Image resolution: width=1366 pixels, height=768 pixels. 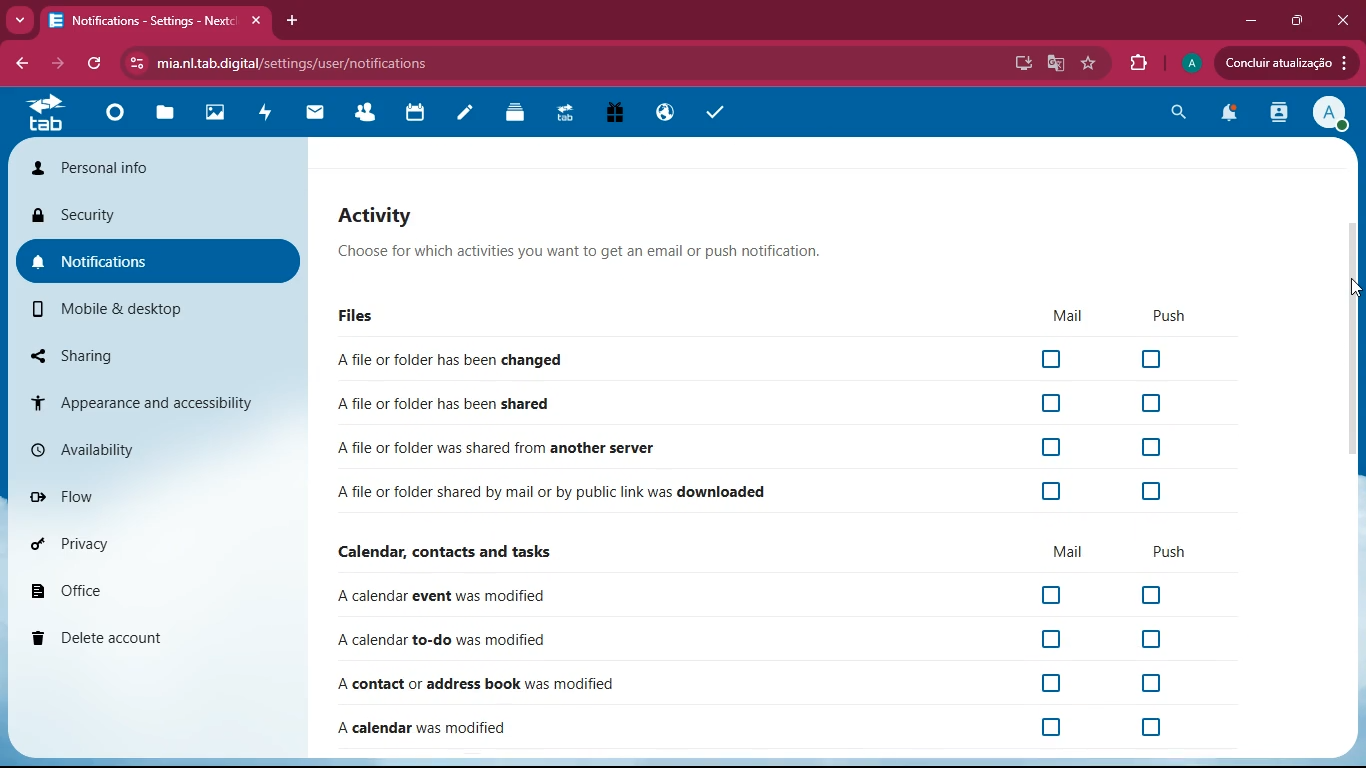 What do you see at coordinates (1132, 684) in the screenshot?
I see `off` at bounding box center [1132, 684].